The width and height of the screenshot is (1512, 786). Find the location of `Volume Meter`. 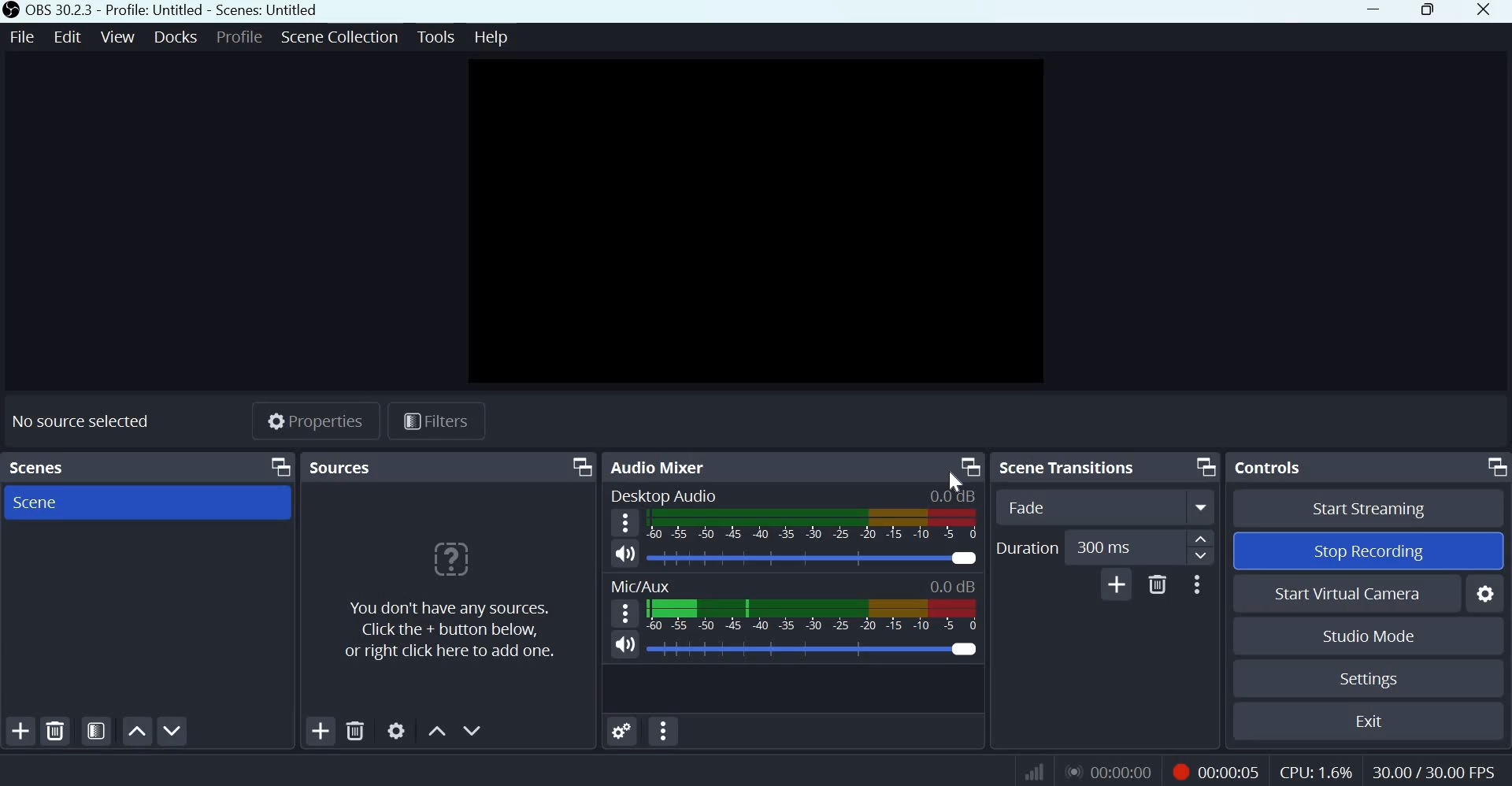

Volume Meter is located at coordinates (810, 617).